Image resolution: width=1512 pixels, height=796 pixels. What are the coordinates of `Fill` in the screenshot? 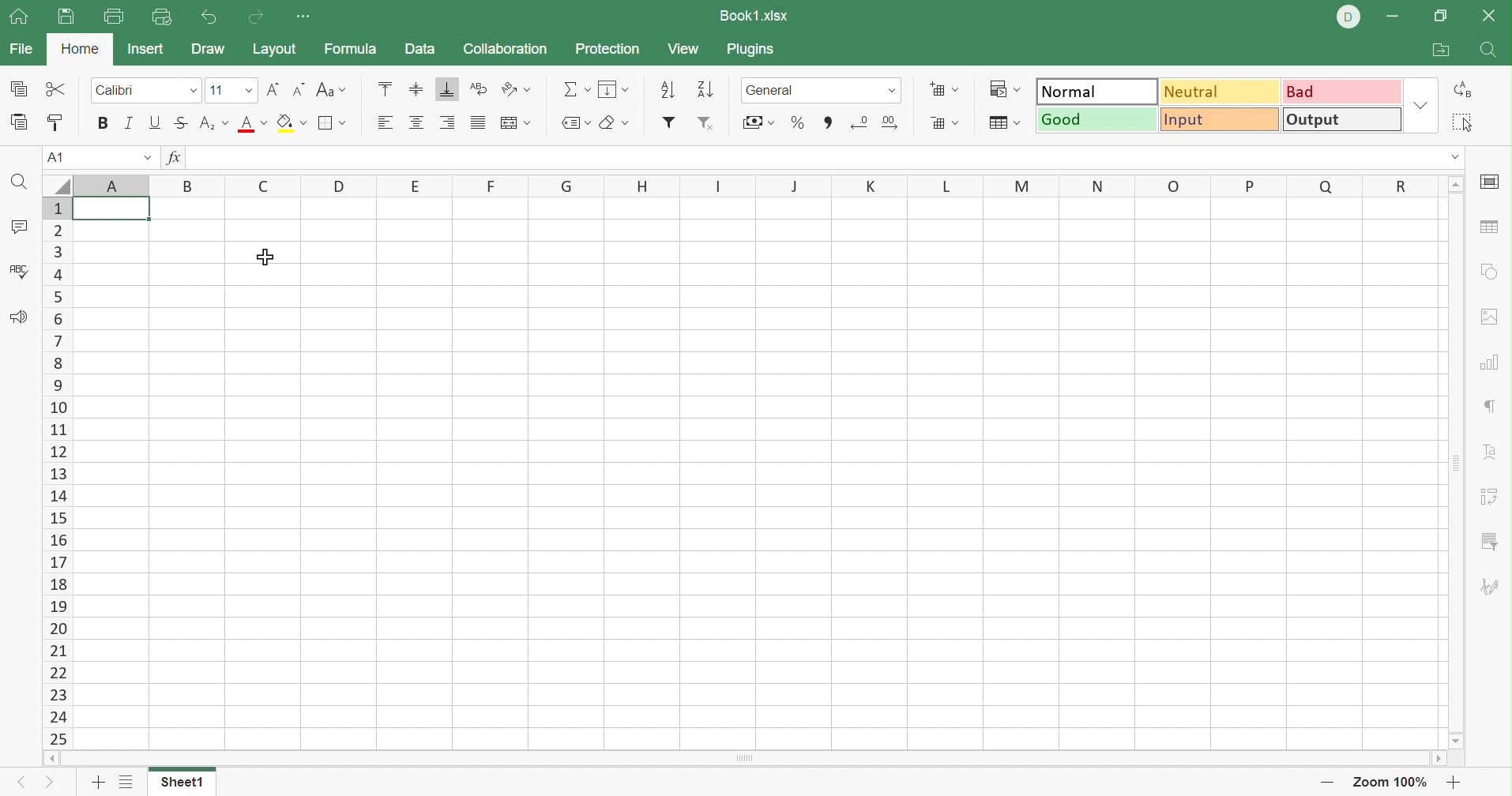 It's located at (611, 88).